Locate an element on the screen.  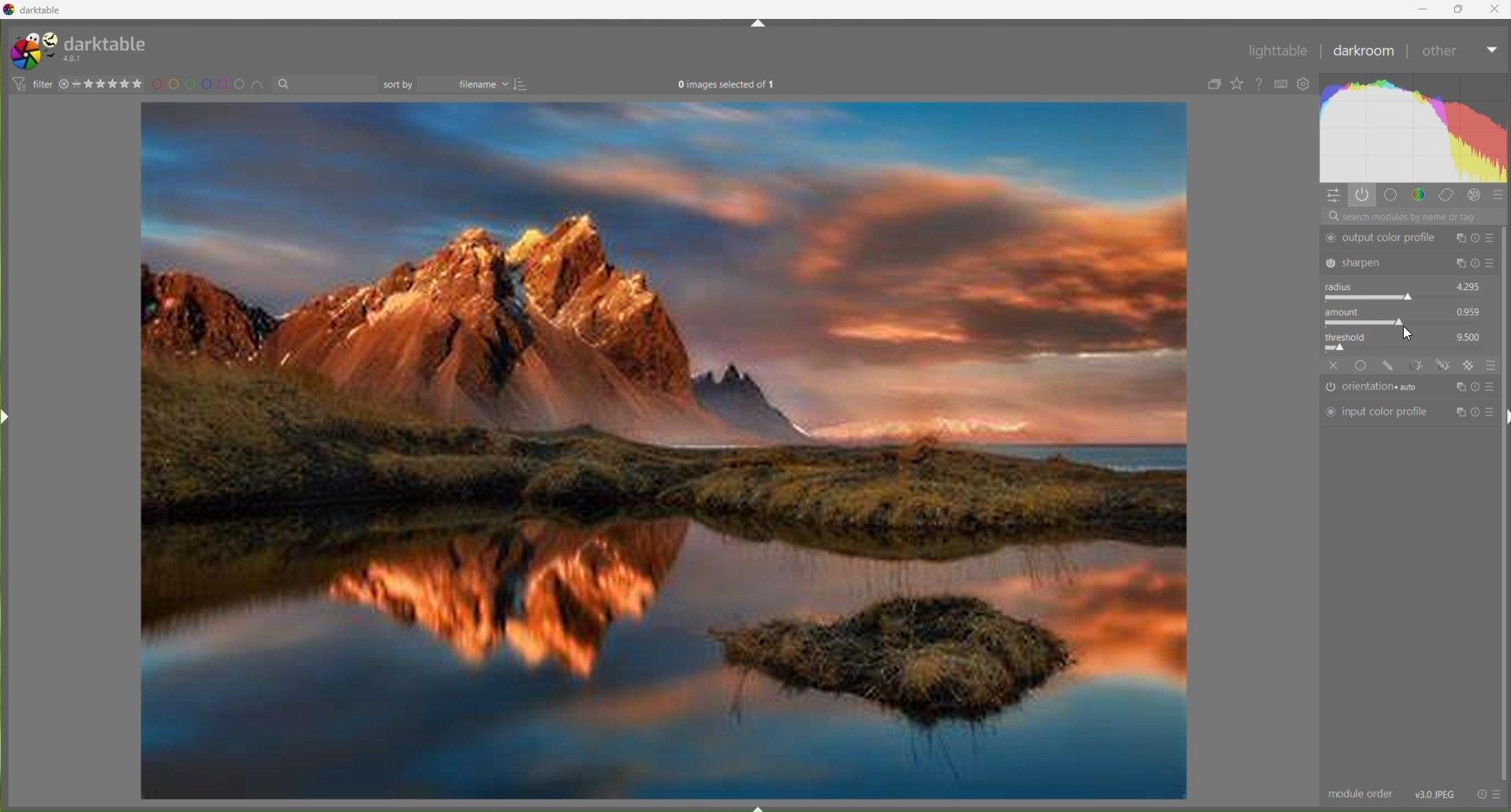
filename is located at coordinates (468, 85).